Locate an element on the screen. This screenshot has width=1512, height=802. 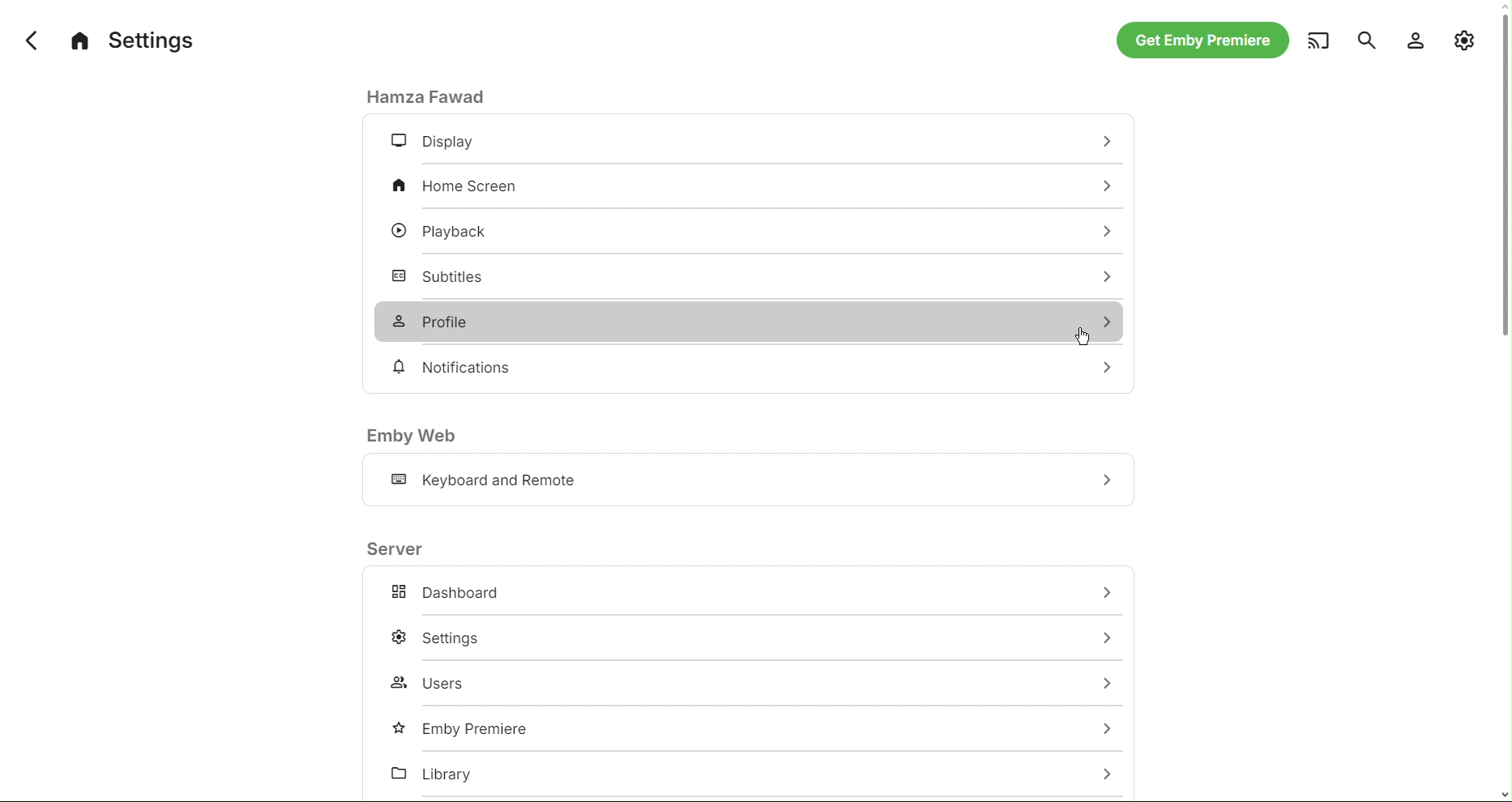
Account Name is located at coordinates (432, 96).